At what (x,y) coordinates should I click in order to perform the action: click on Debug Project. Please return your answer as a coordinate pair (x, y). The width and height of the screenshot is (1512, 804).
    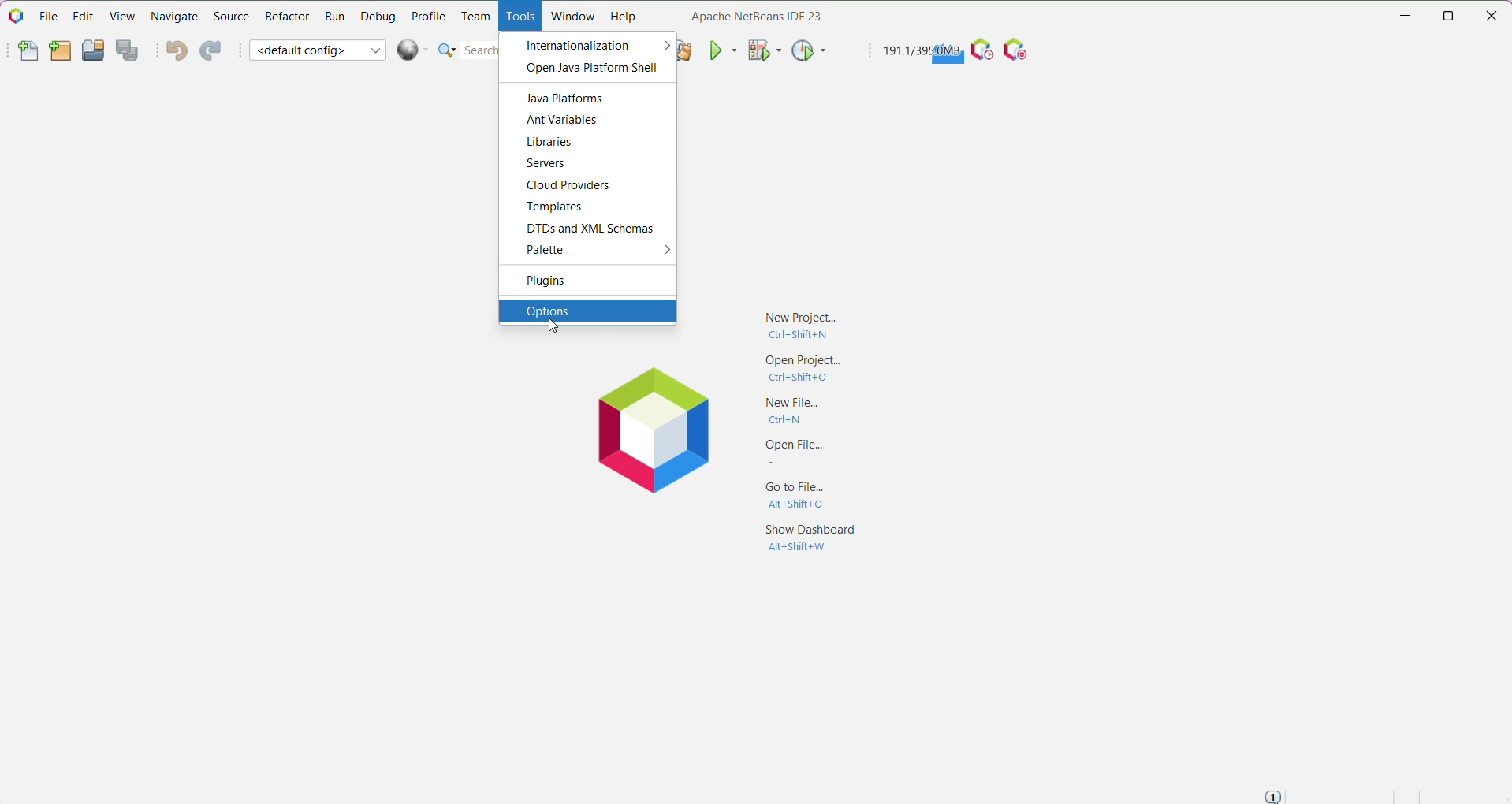
    Looking at the image, I should click on (763, 50).